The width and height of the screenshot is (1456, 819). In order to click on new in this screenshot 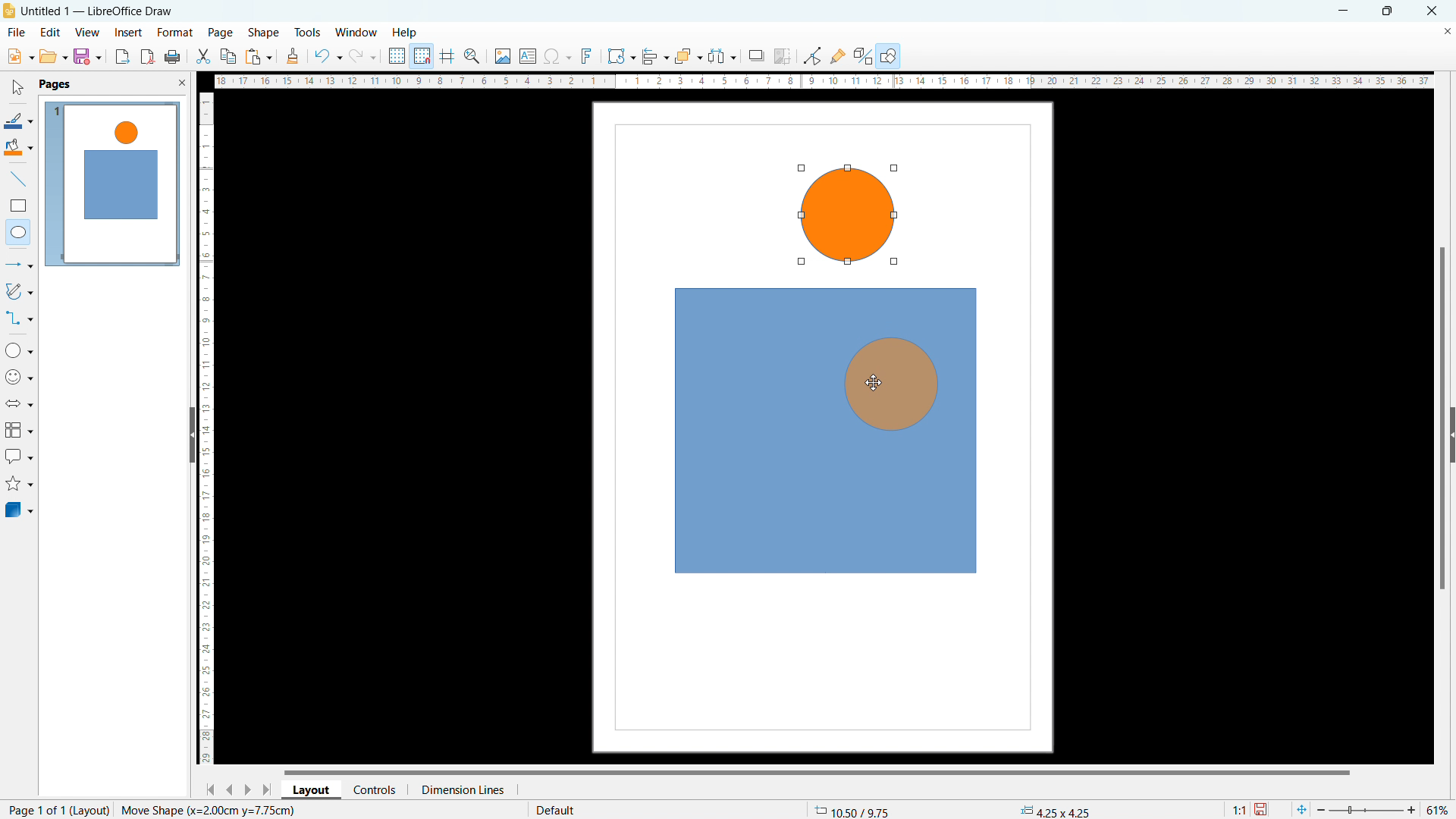, I will do `click(20, 56)`.